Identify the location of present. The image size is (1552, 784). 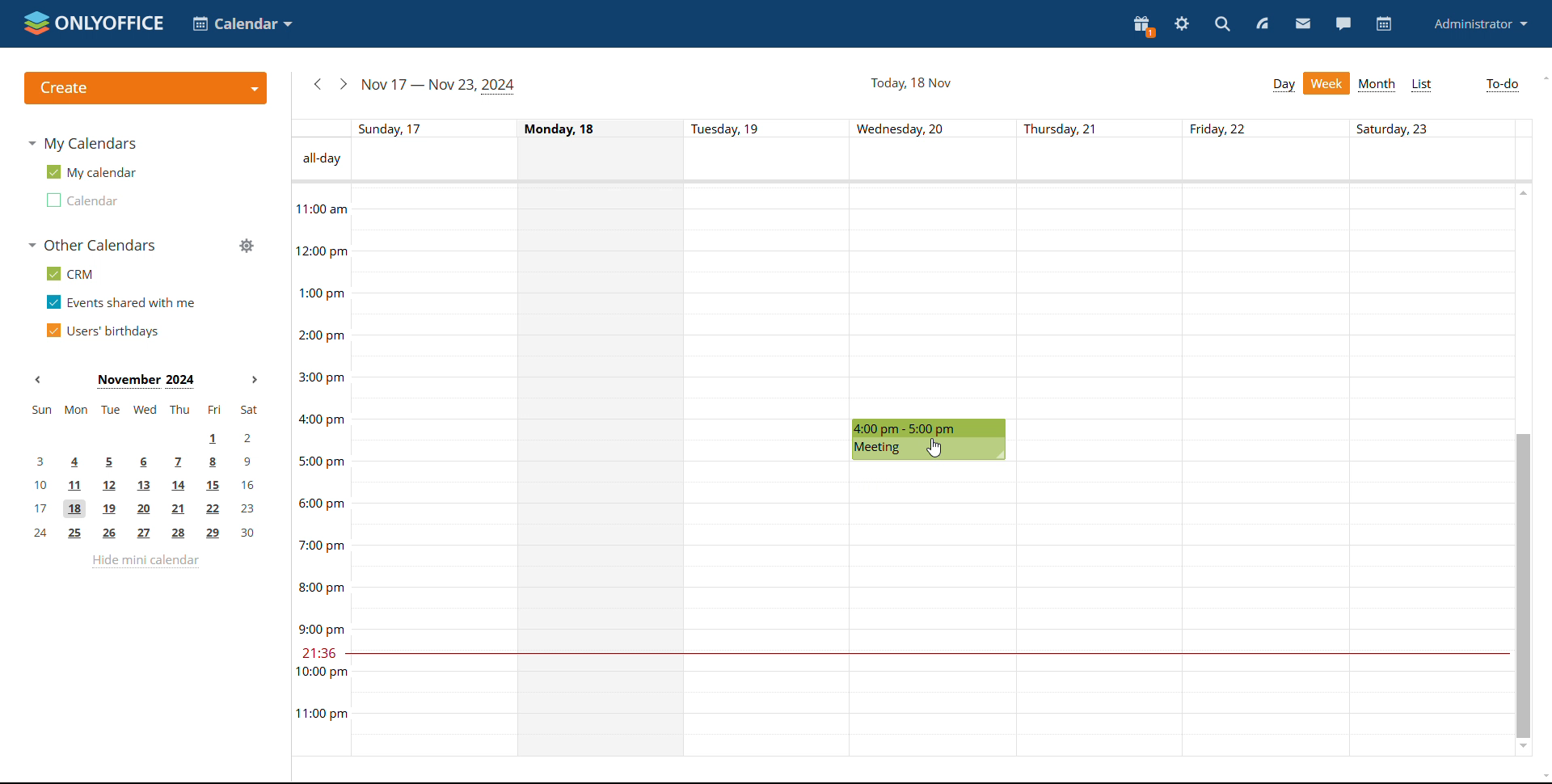
(1144, 25).